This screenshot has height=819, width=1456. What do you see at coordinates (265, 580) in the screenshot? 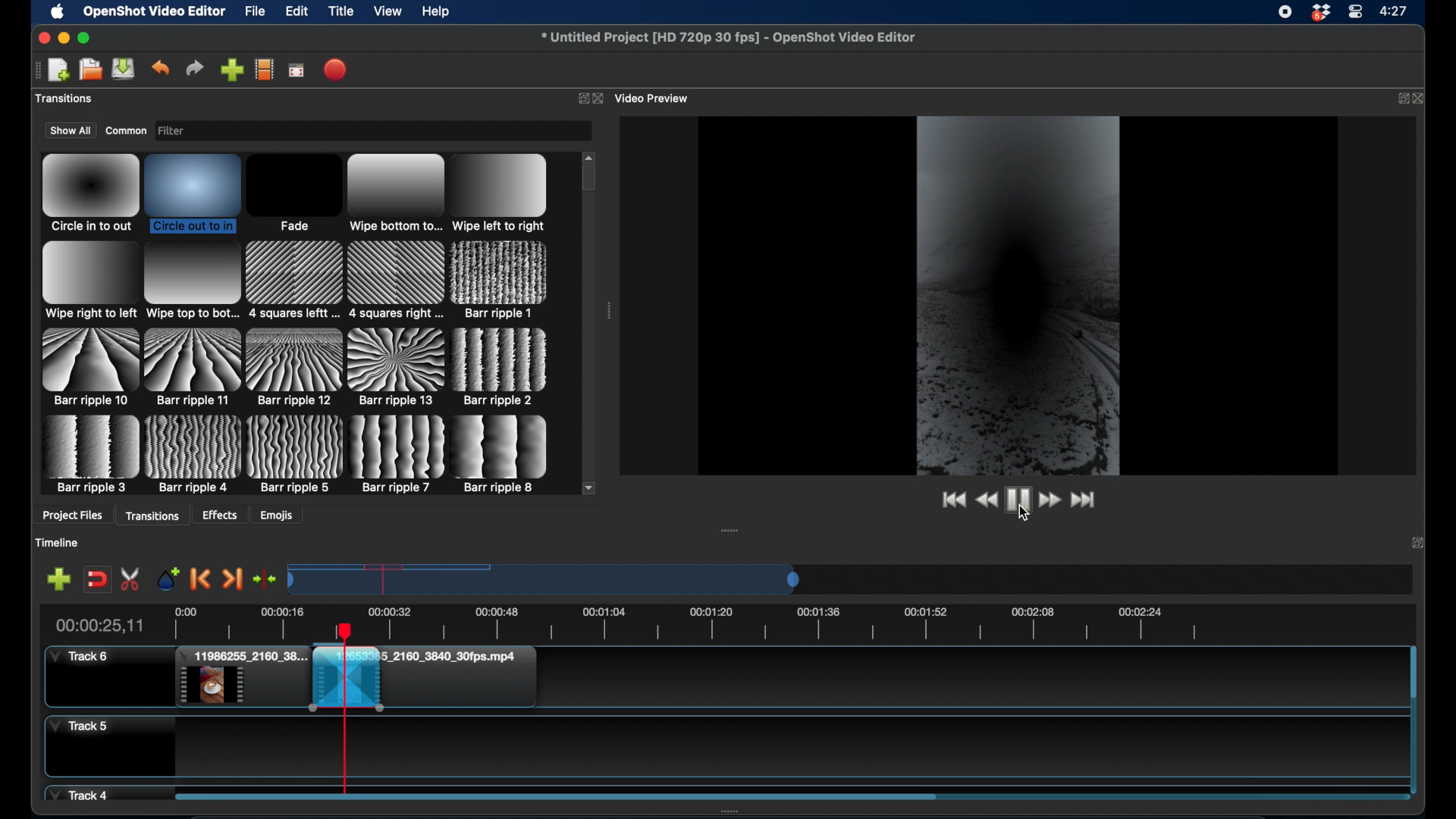
I see `center the timeline playhead` at bounding box center [265, 580].